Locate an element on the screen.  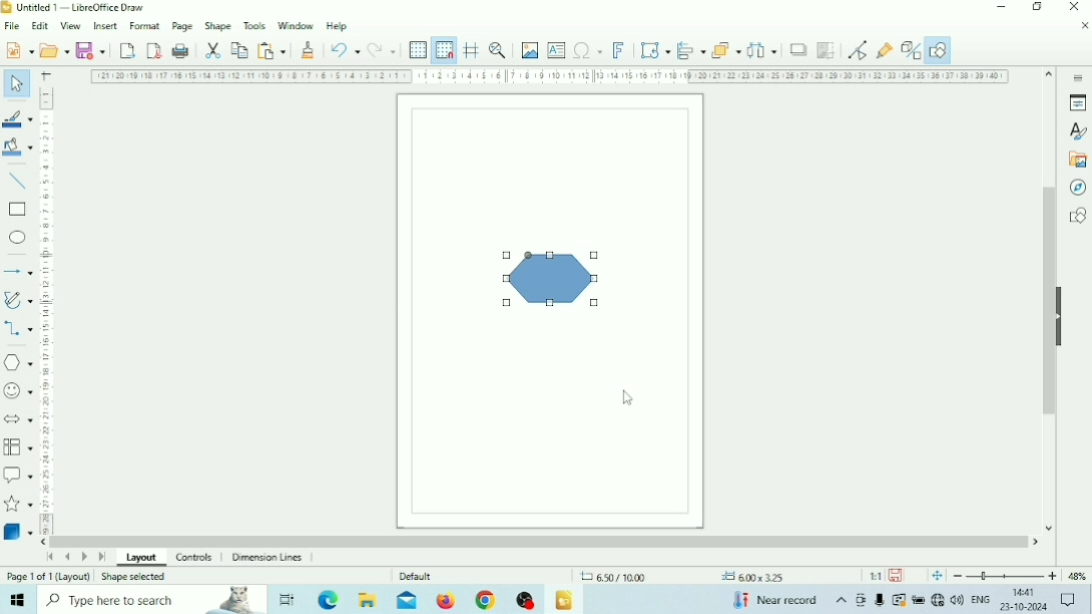
Close Document is located at coordinates (1084, 25).